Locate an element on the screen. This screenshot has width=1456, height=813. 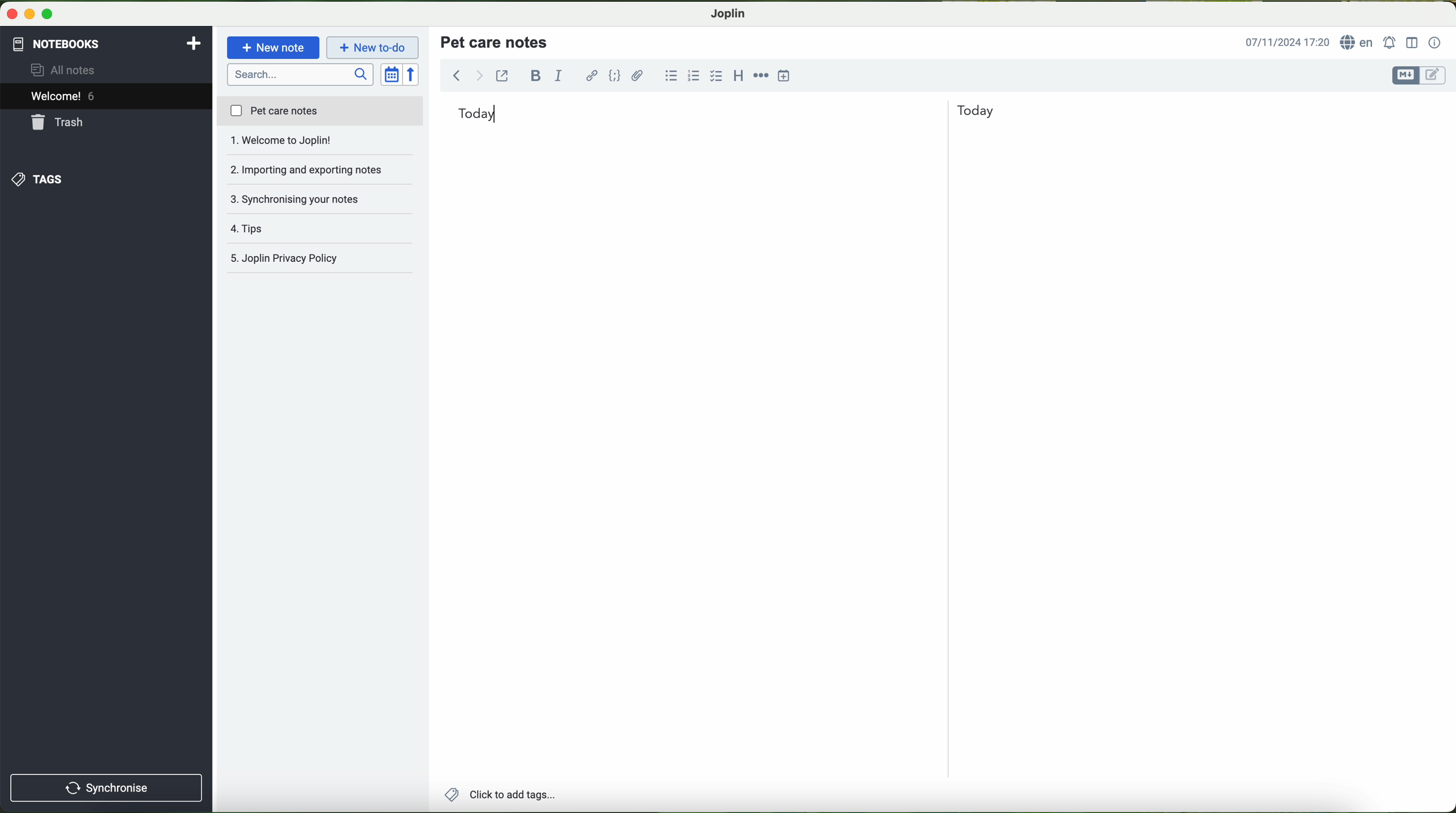
tips is located at coordinates (320, 199).